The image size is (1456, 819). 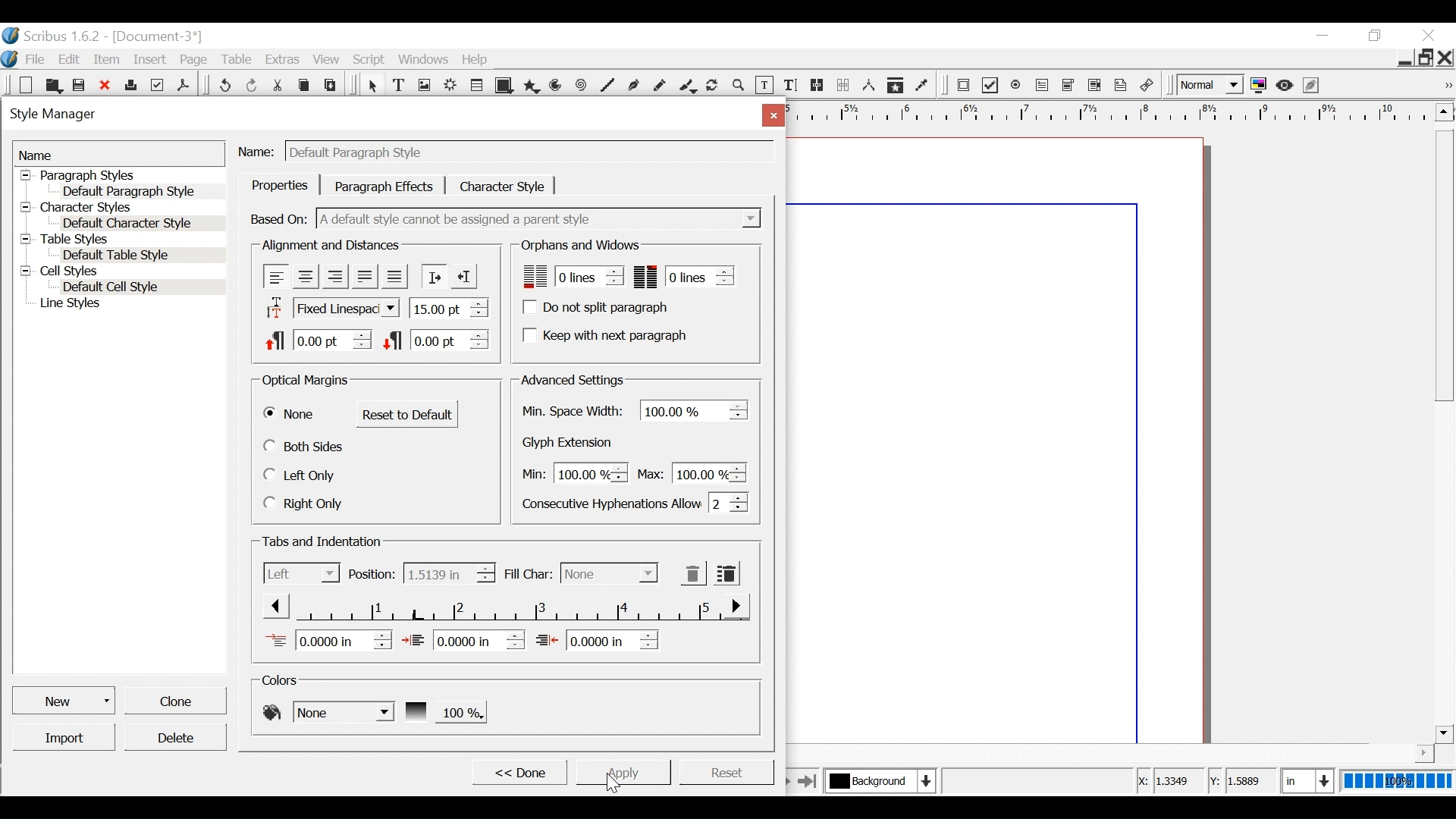 What do you see at coordinates (184, 83) in the screenshot?
I see `Save as PDF` at bounding box center [184, 83].